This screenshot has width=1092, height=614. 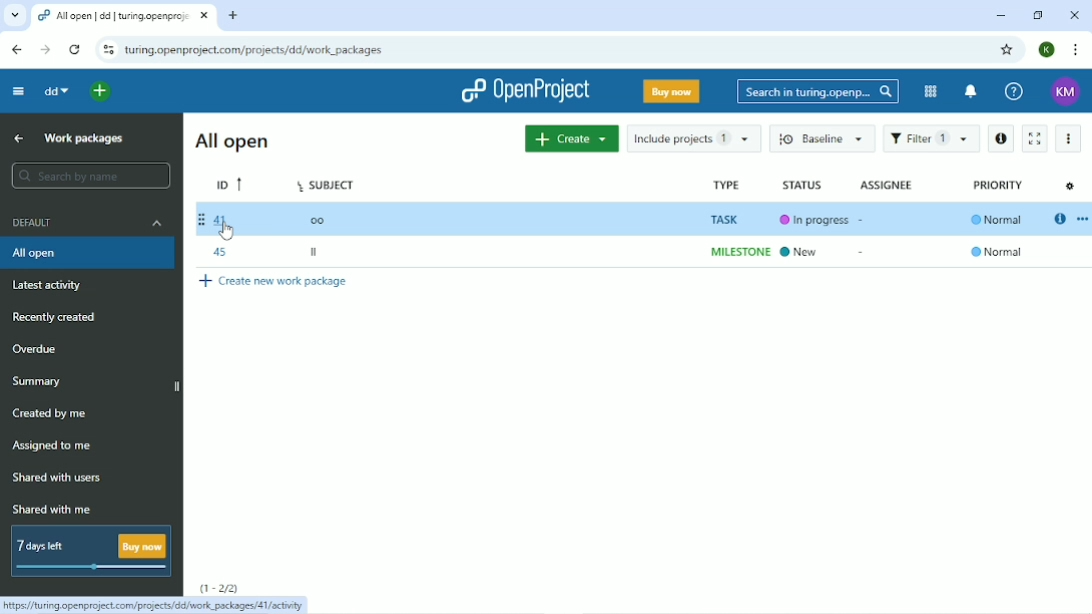 What do you see at coordinates (15, 14) in the screenshot?
I see `Search tabs` at bounding box center [15, 14].